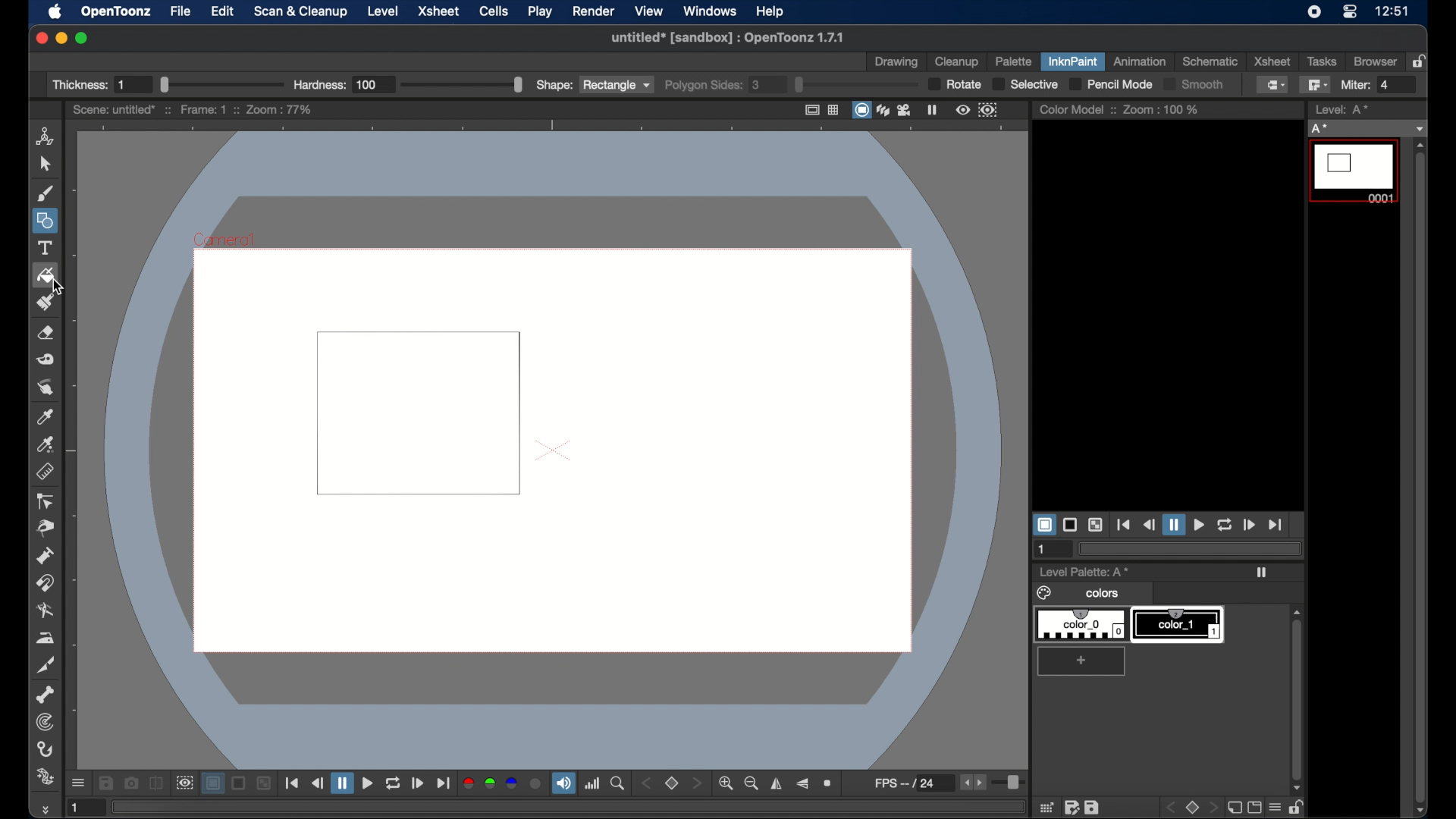  I want to click on scene: untitled, so click(119, 109).